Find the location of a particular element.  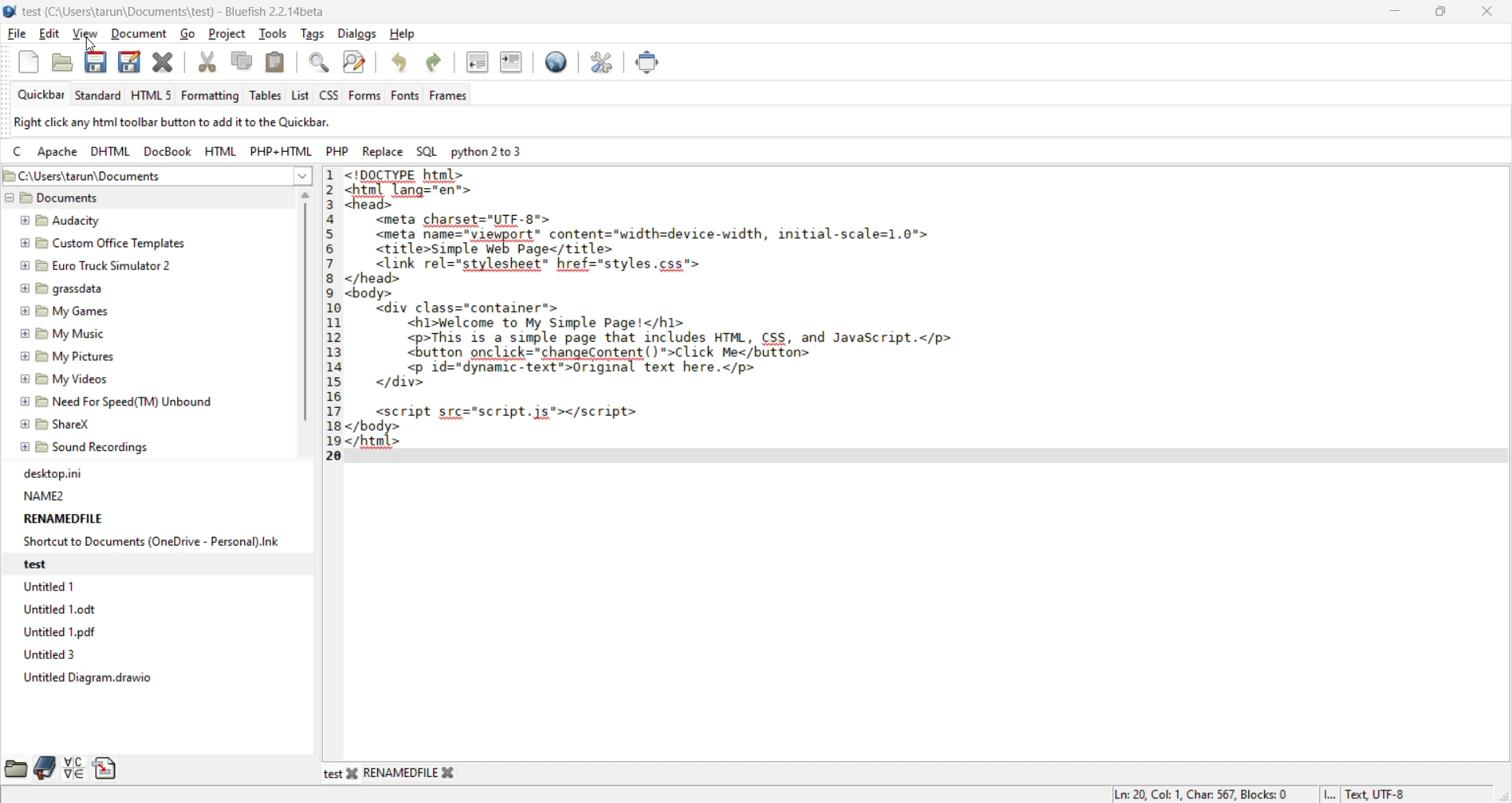

copy is located at coordinates (241, 61).